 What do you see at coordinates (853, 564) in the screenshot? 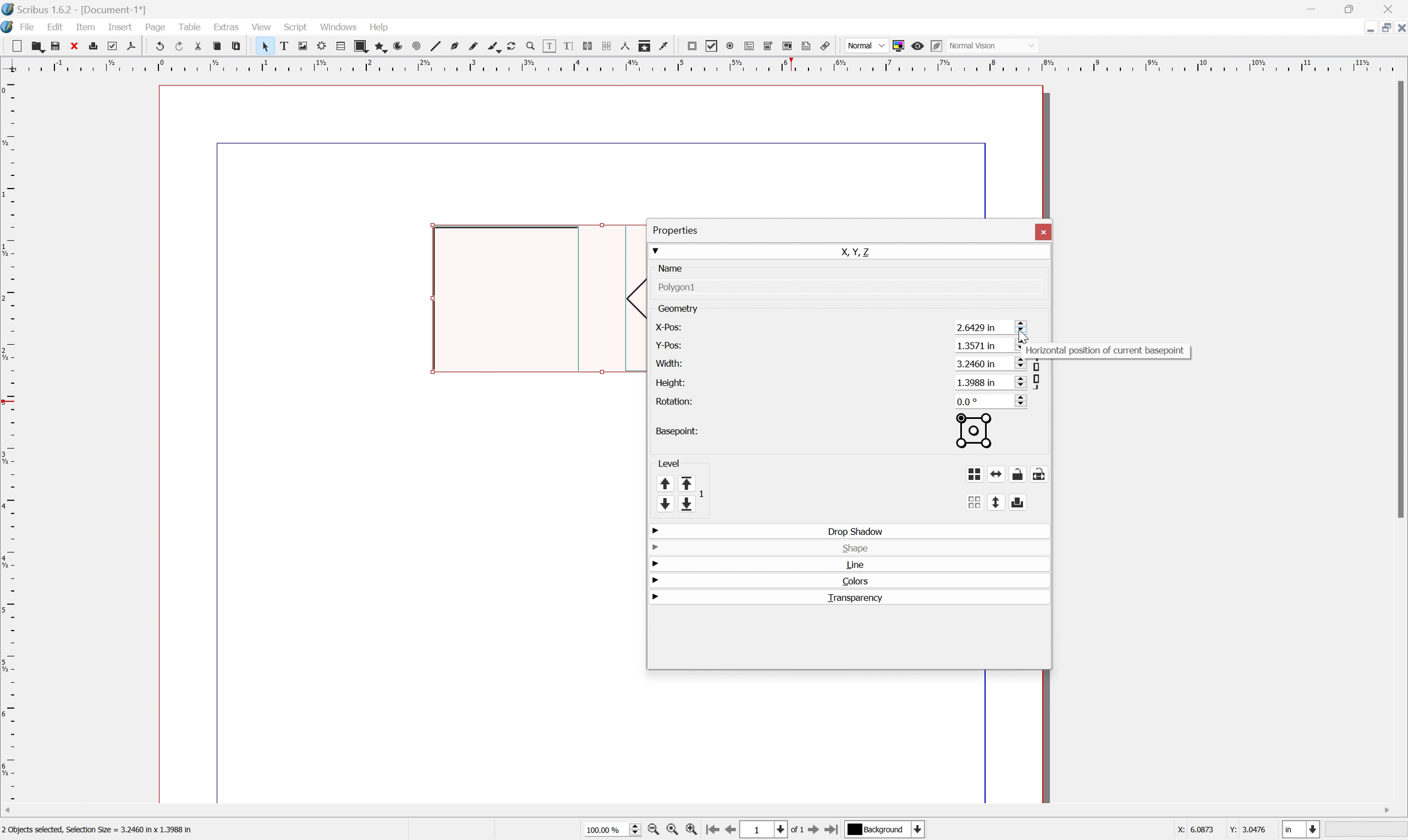
I see `line` at bounding box center [853, 564].